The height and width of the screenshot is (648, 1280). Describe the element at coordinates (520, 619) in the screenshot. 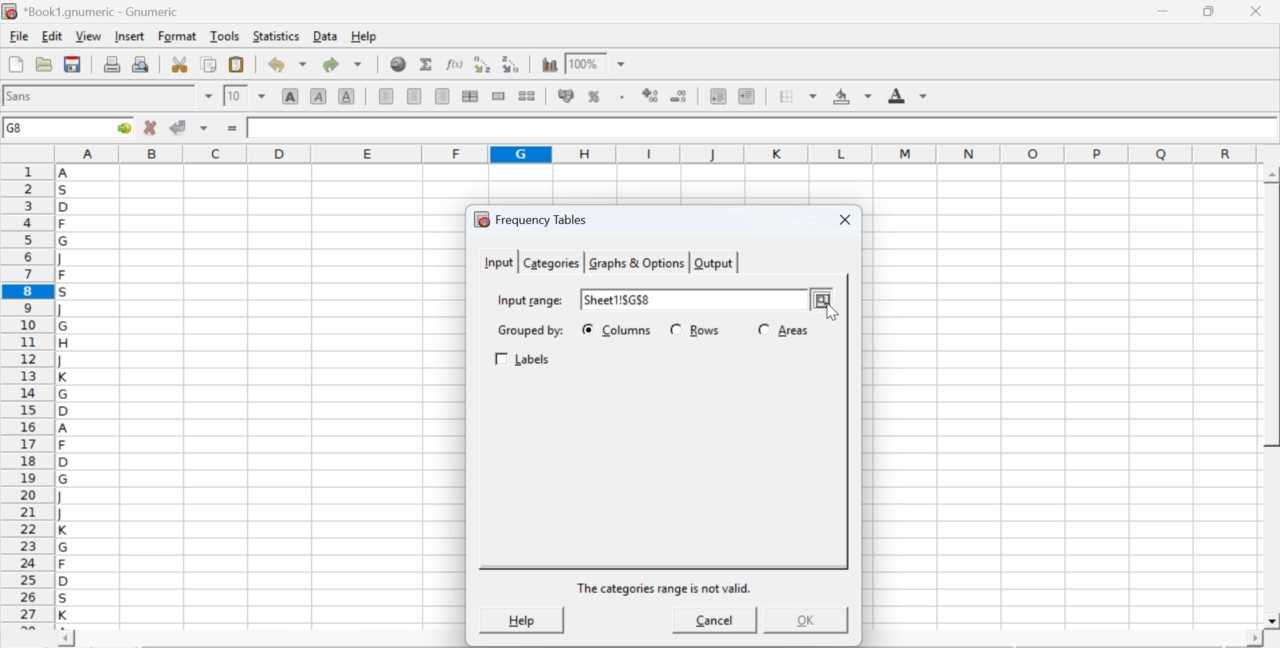

I see `help` at that location.